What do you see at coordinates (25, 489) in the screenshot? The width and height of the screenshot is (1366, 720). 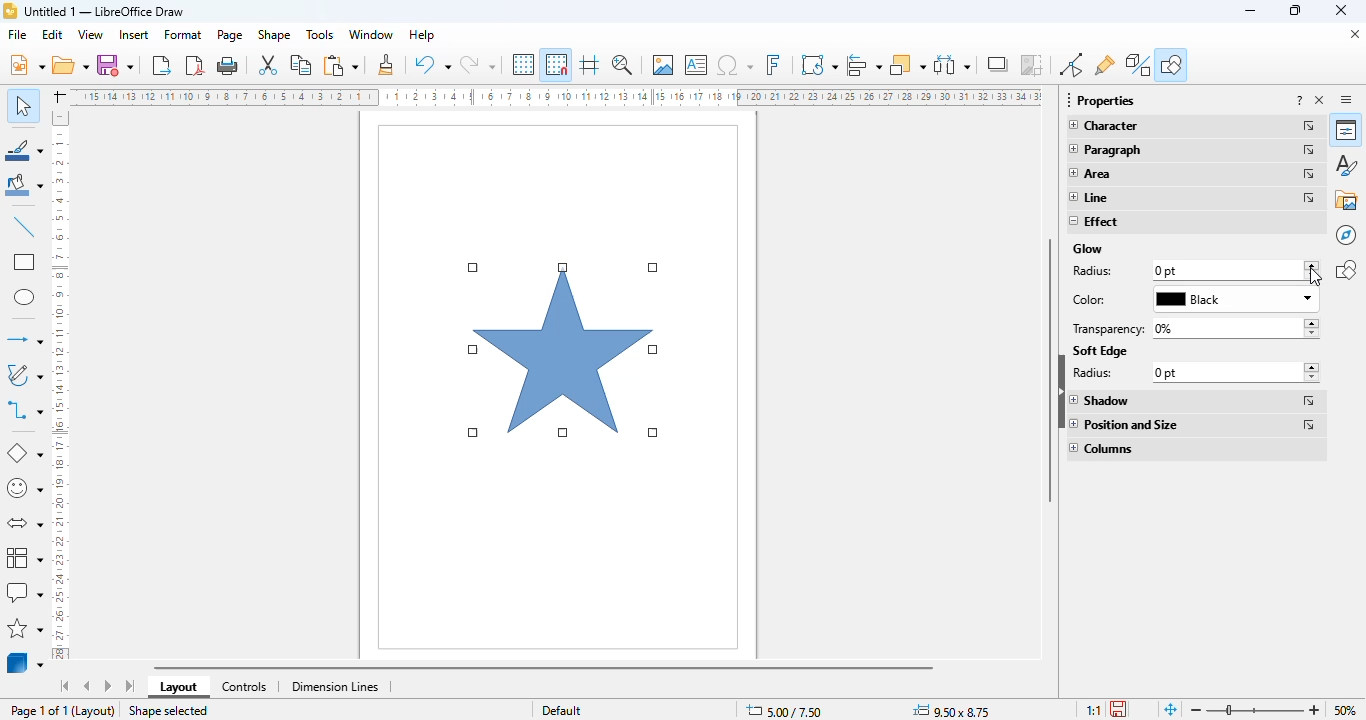 I see `symbol shapes` at bounding box center [25, 489].